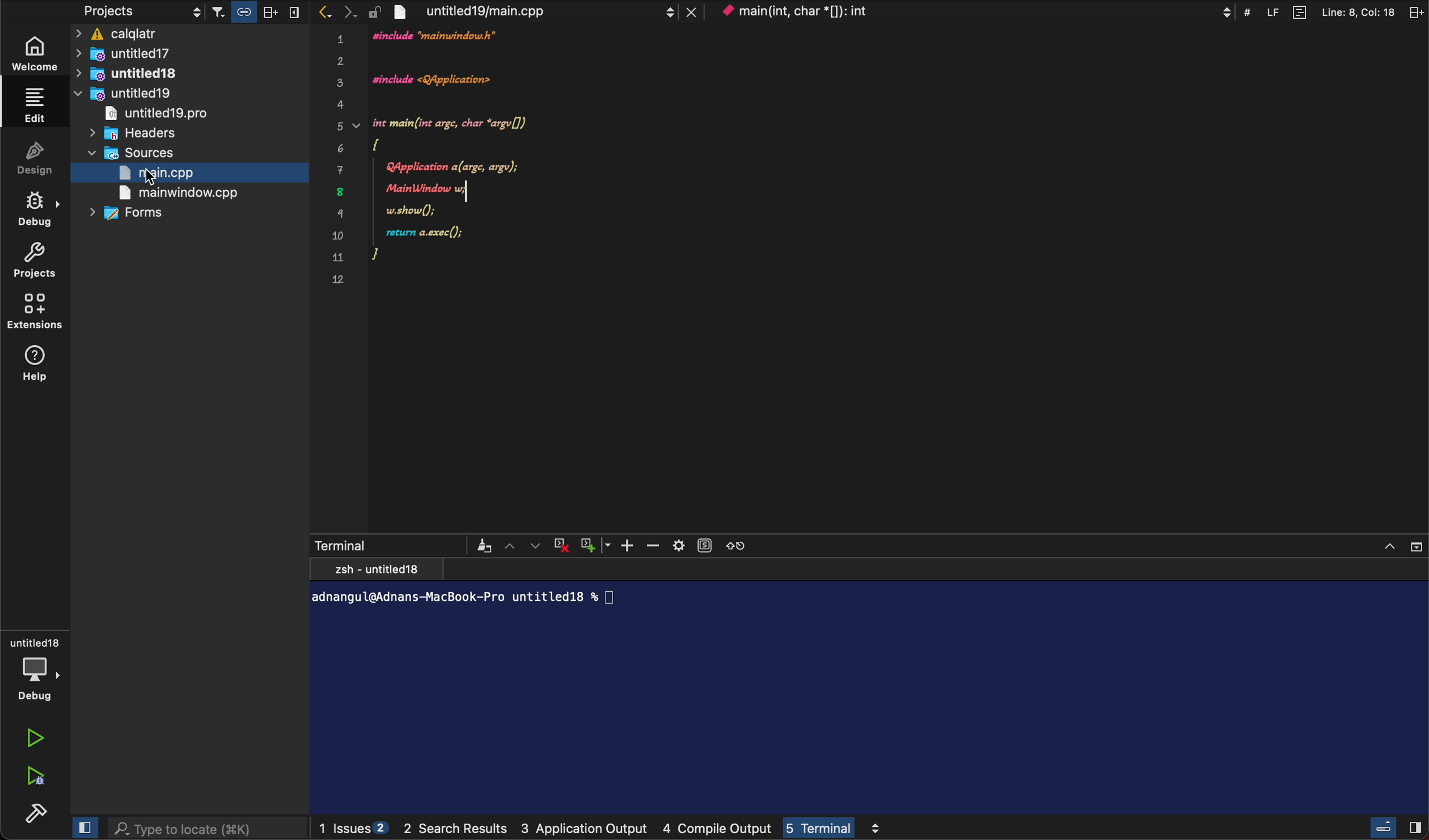  What do you see at coordinates (40, 52) in the screenshot?
I see `weLcome` at bounding box center [40, 52].